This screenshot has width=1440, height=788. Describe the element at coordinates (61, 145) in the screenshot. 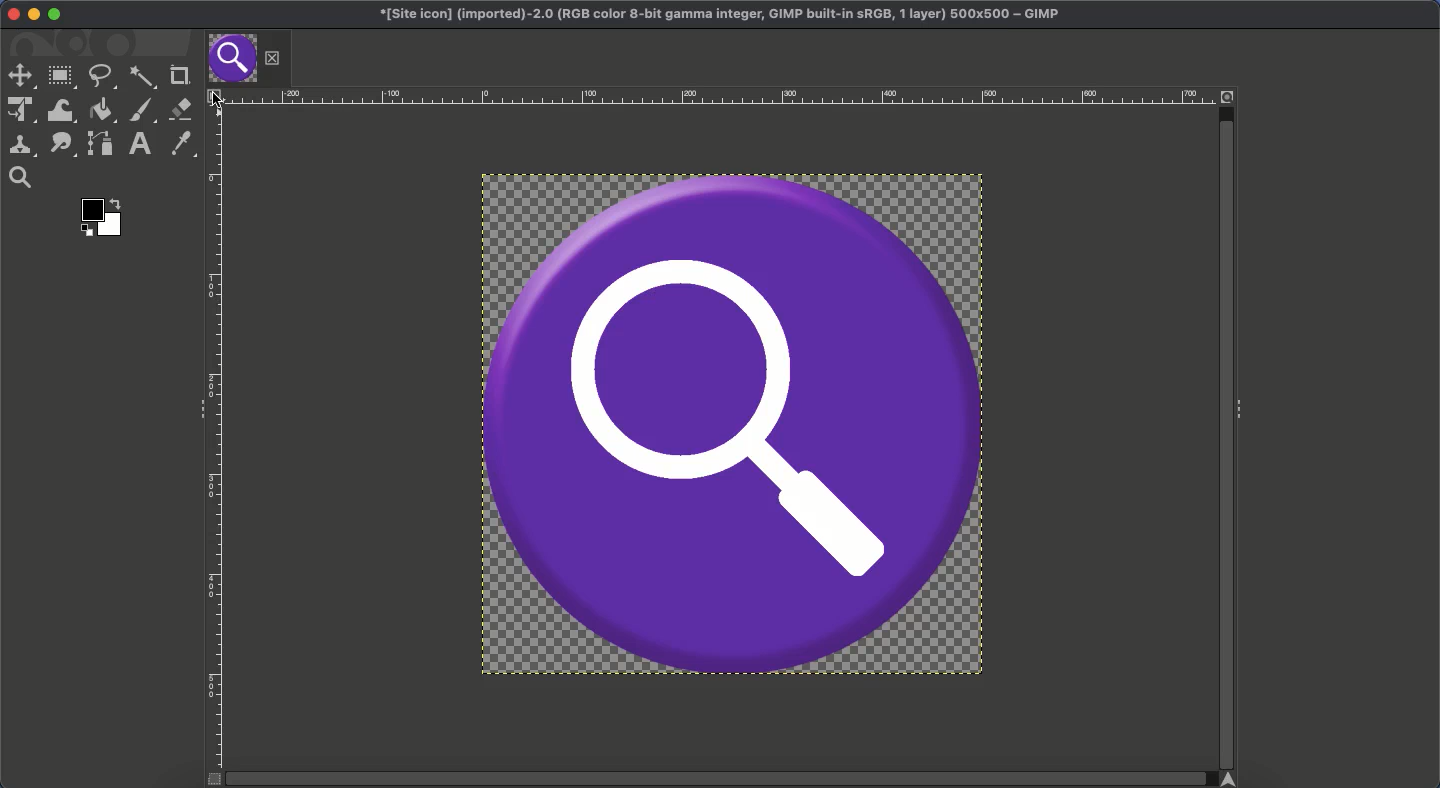

I see `Smudge tool` at that location.